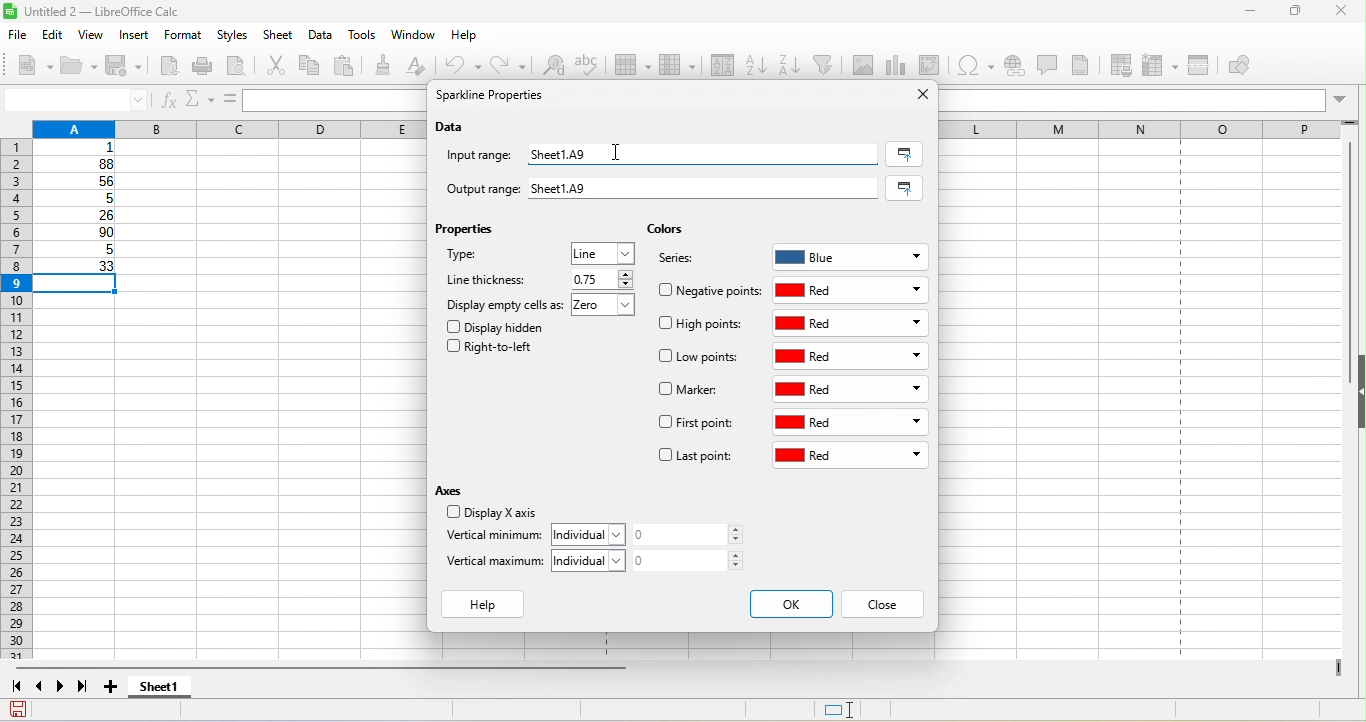 This screenshot has height=722, width=1366. I want to click on help, so click(488, 605).